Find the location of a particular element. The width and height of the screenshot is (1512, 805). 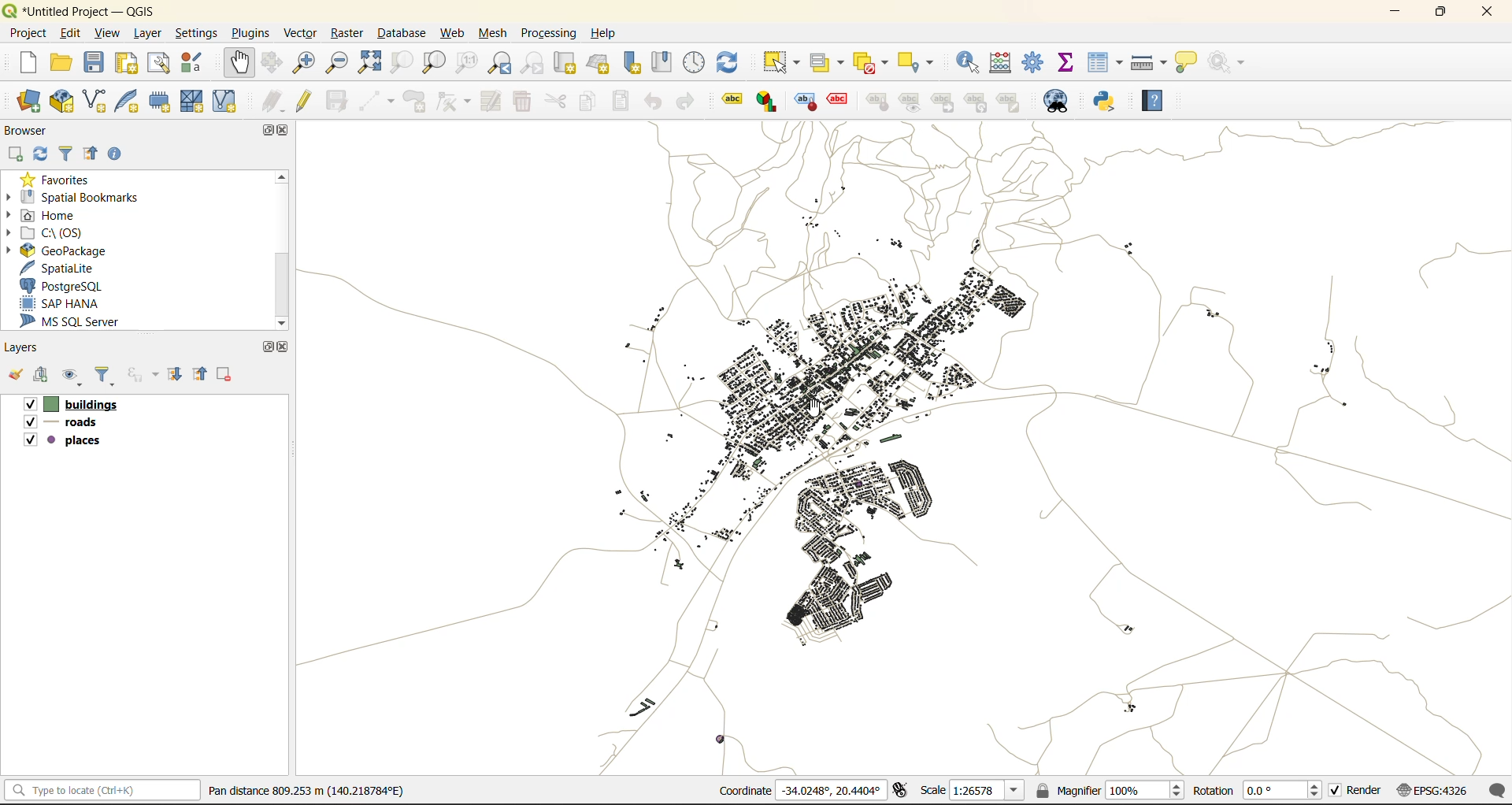

web is located at coordinates (454, 32).